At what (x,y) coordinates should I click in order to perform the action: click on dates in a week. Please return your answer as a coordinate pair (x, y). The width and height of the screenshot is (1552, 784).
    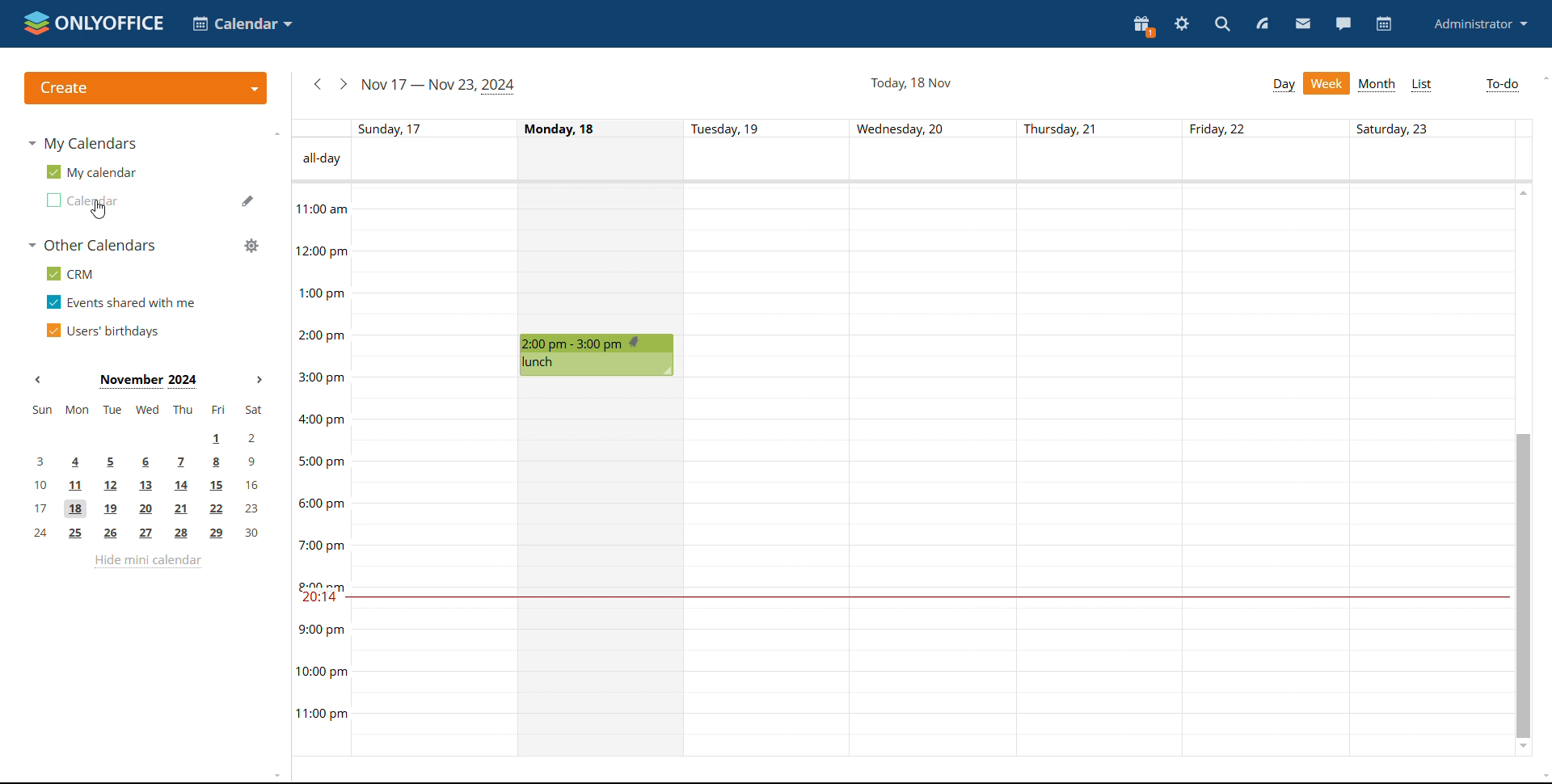
    Looking at the image, I should click on (941, 129).